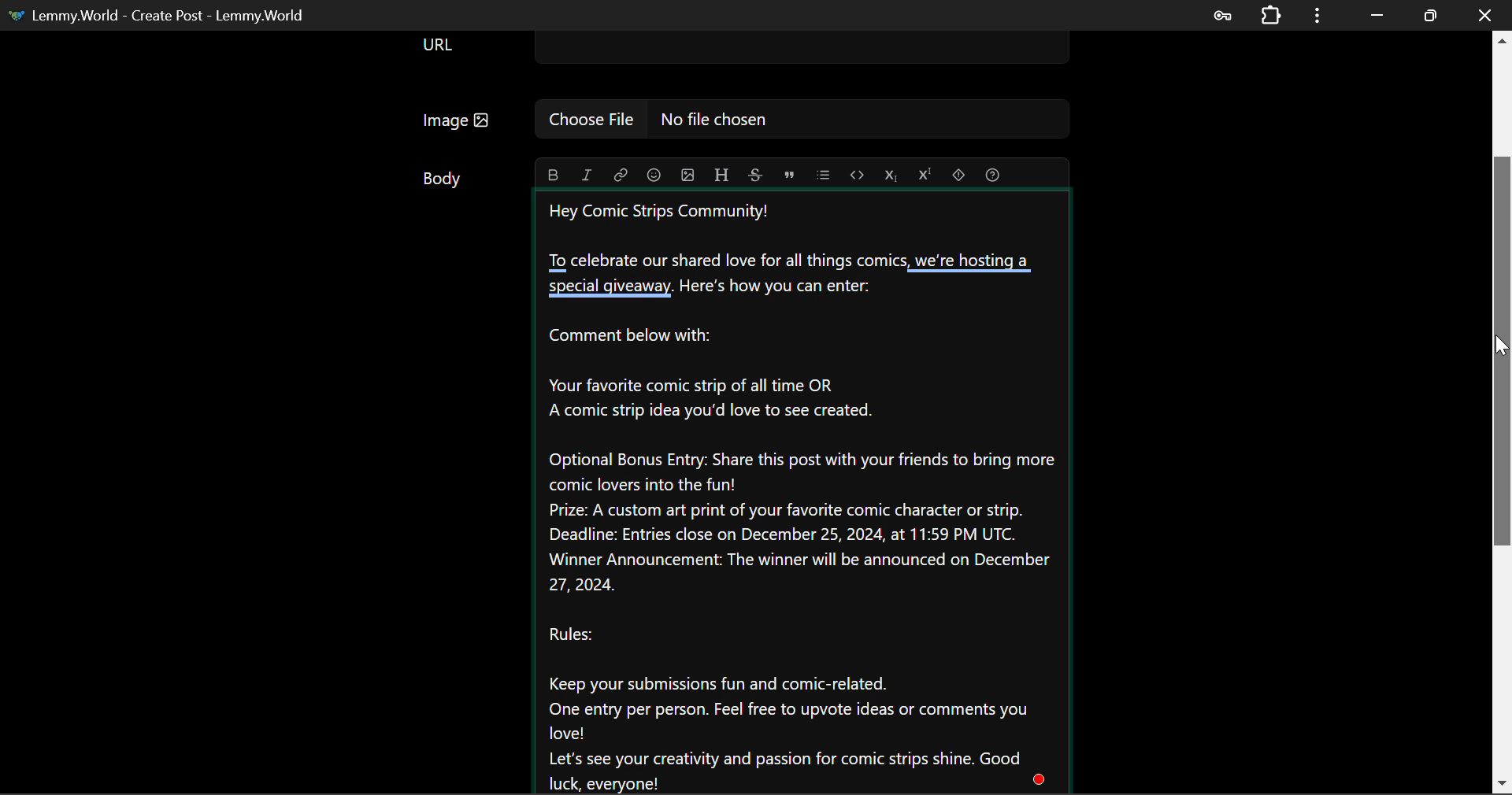 The image size is (1512, 795). Describe the element at coordinates (554, 175) in the screenshot. I see `bold` at that location.